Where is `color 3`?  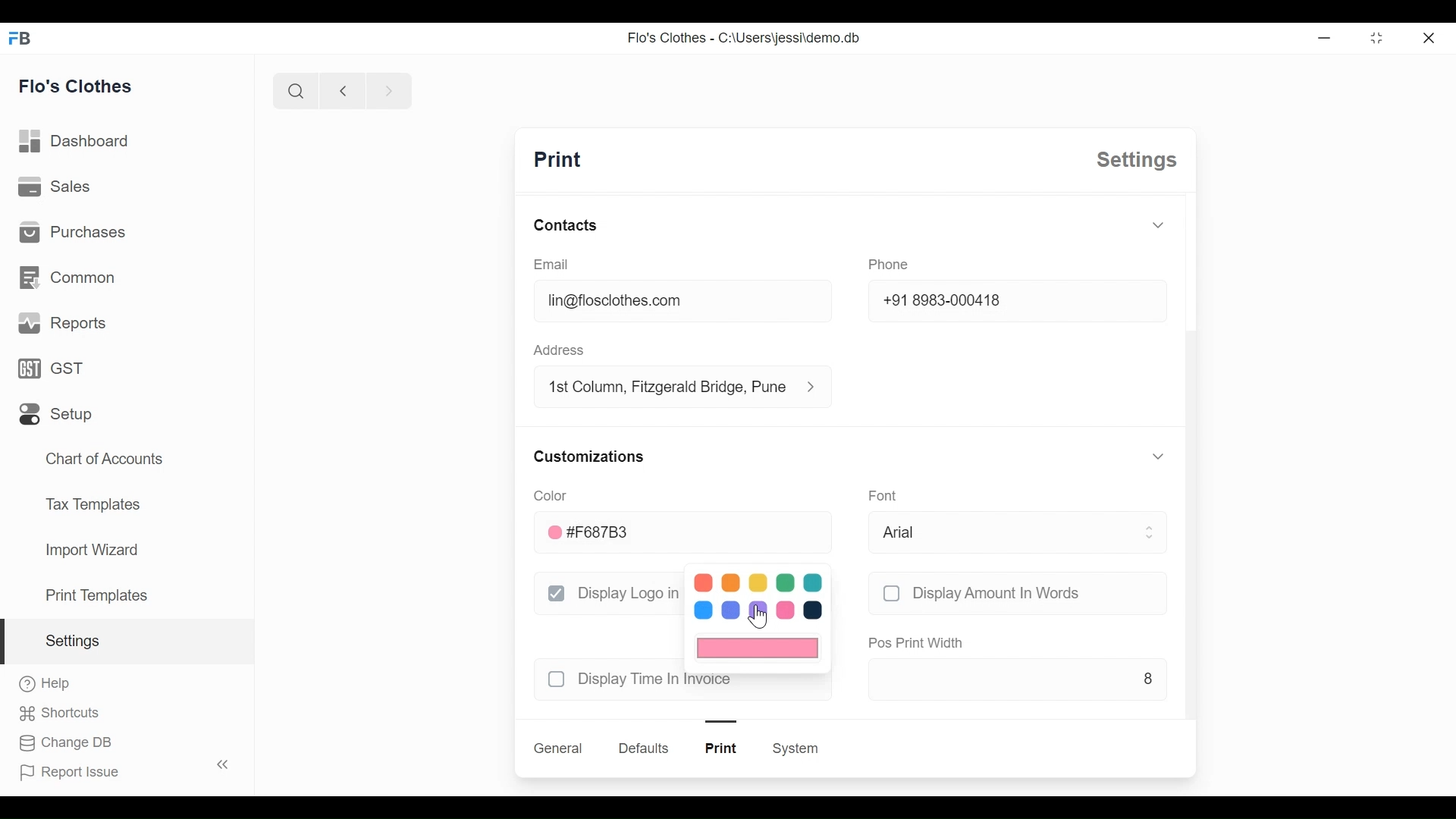
color 3 is located at coordinates (758, 582).